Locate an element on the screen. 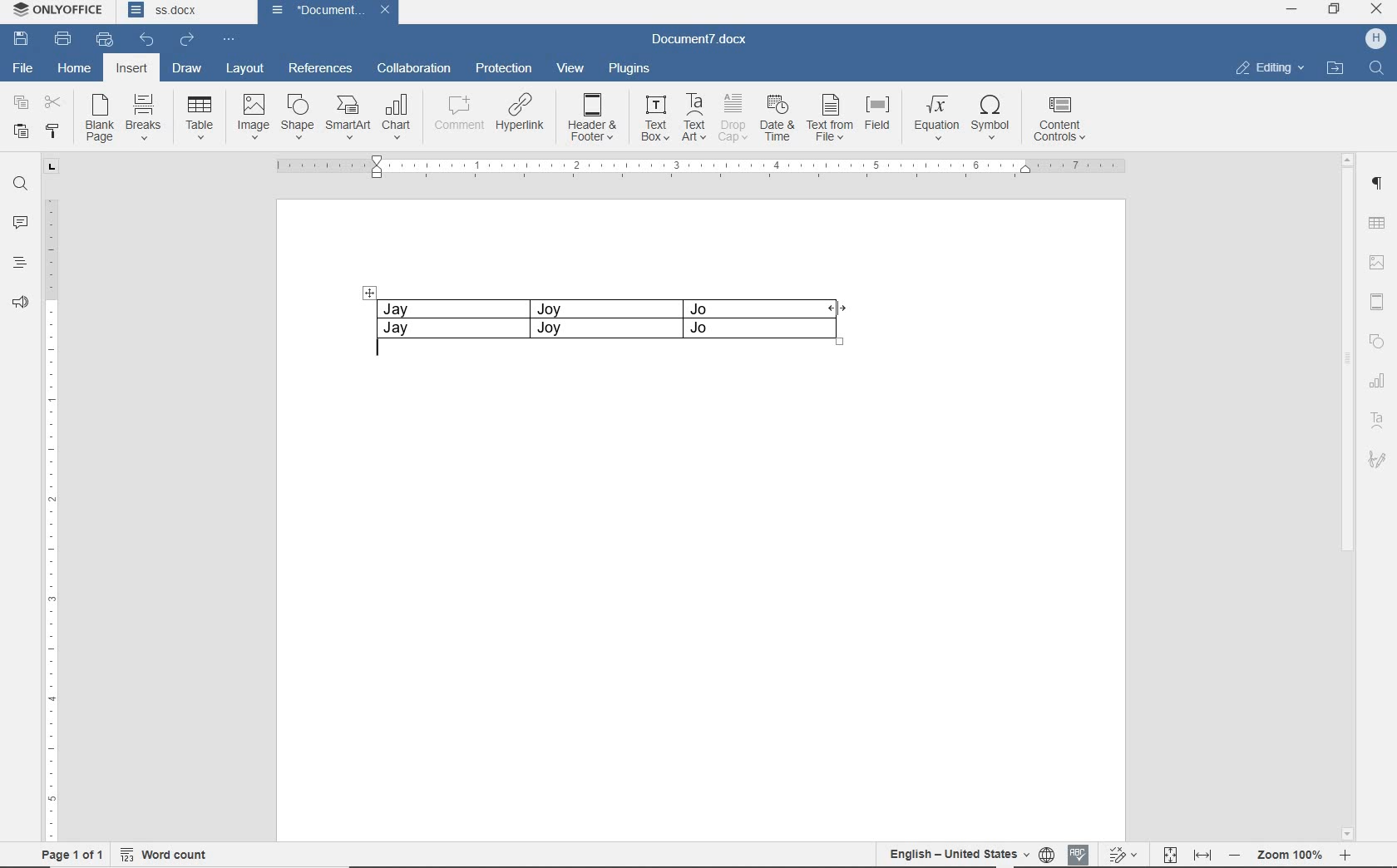 The image size is (1397, 868). COLLABORATION is located at coordinates (412, 70).